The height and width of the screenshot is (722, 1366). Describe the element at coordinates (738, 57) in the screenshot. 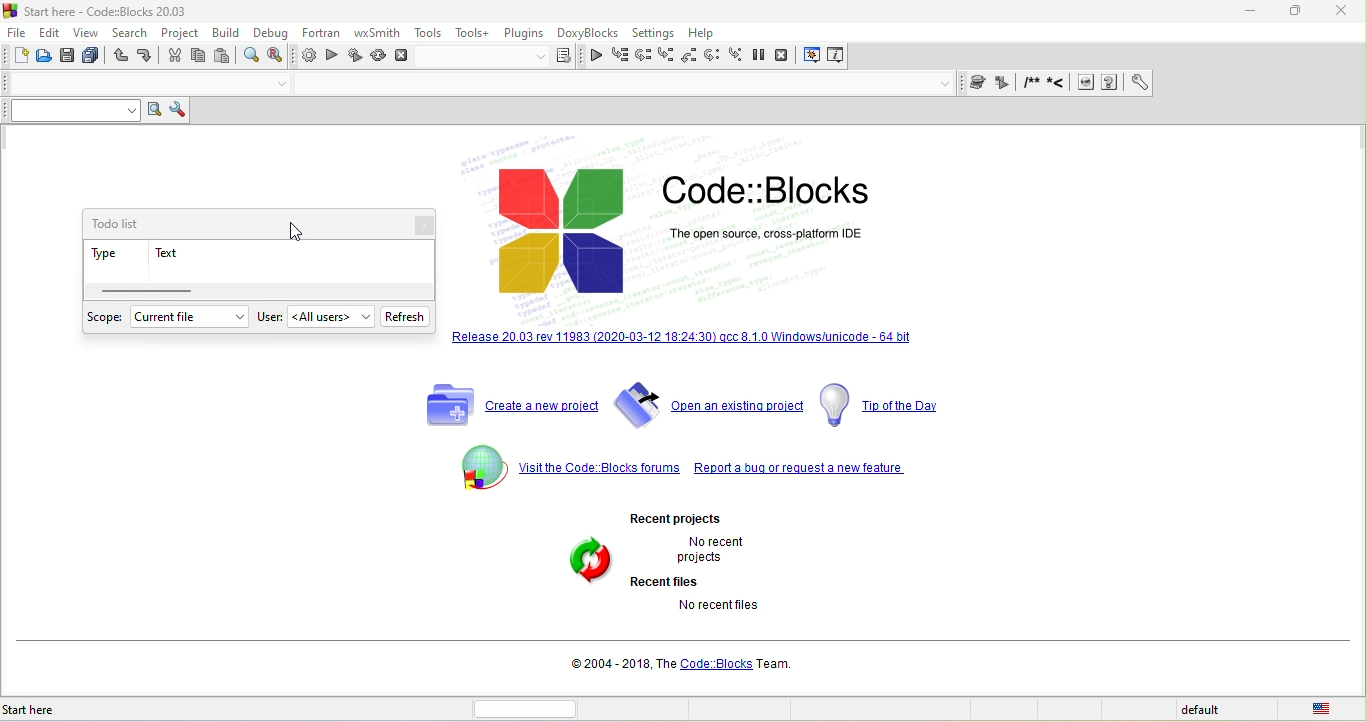

I see `step into instruction` at that location.